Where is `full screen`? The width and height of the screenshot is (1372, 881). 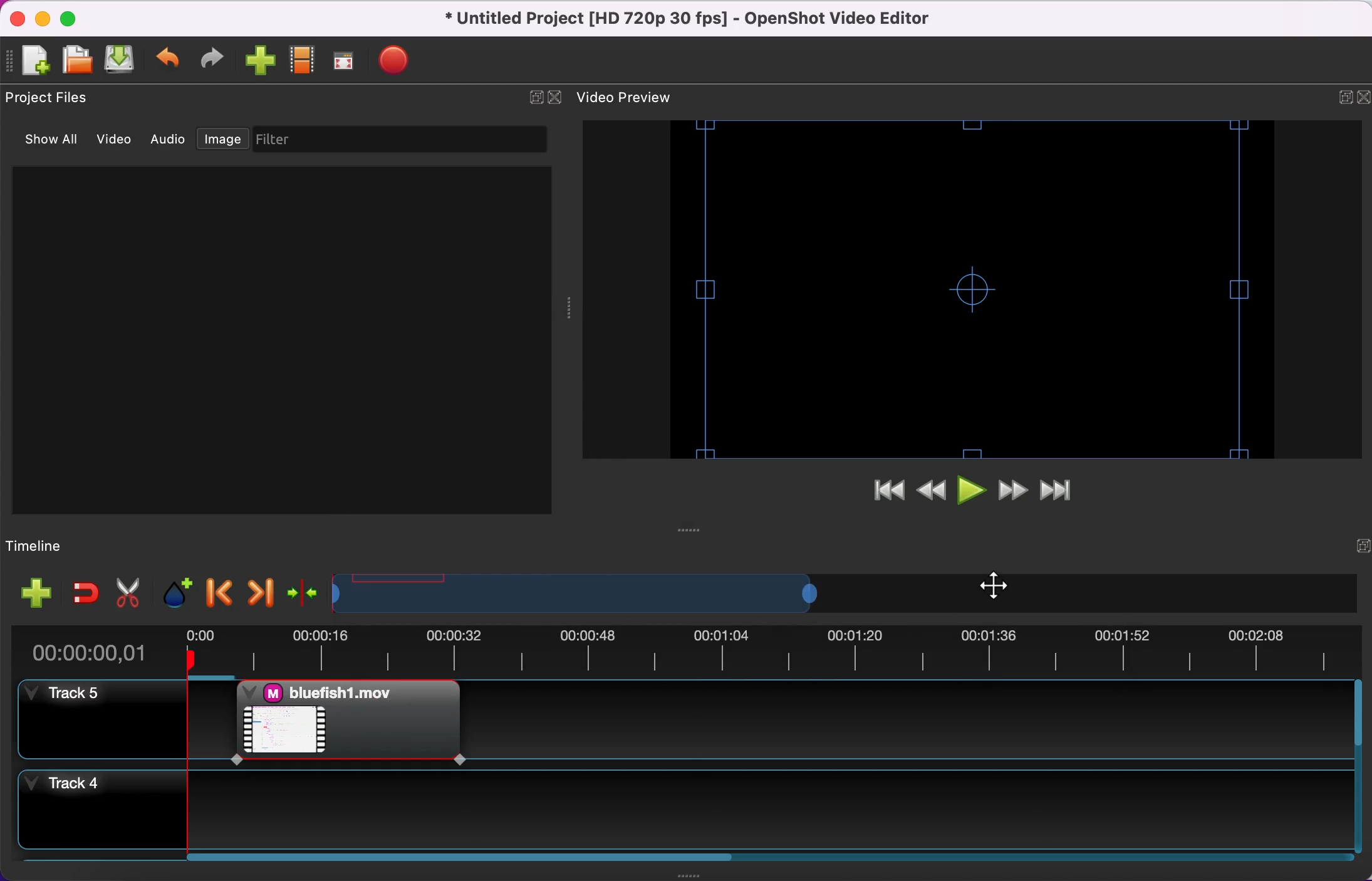 full screen is located at coordinates (349, 60).